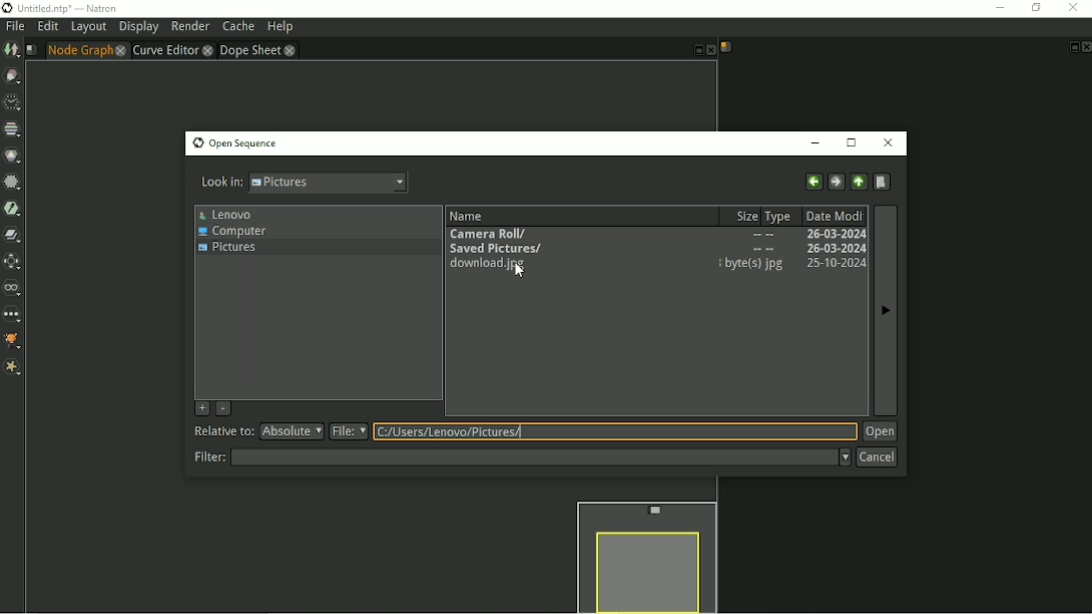  Describe the element at coordinates (726, 47) in the screenshot. I see `Script name` at that location.